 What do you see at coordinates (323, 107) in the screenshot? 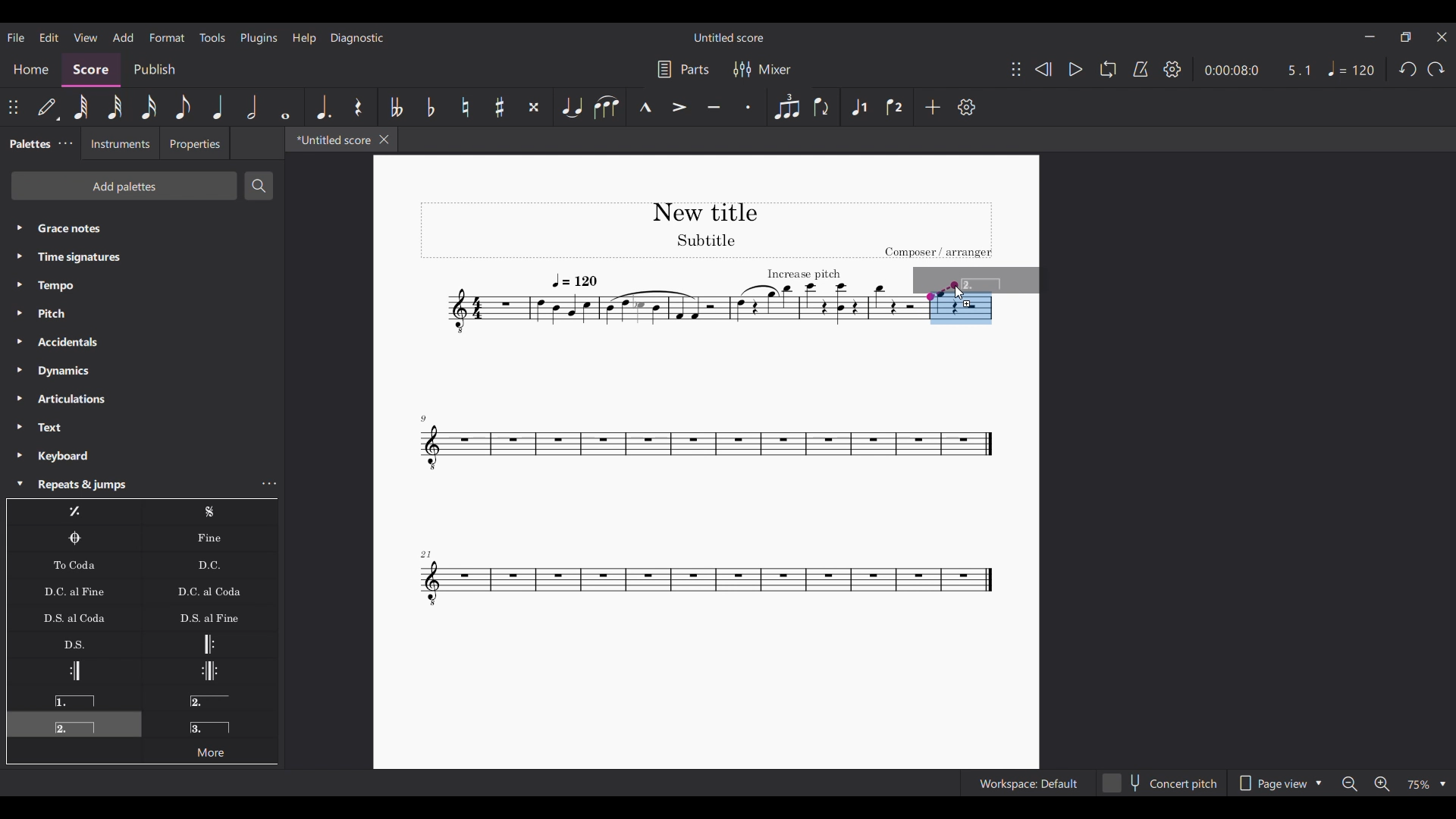
I see `Augmentation dot` at bounding box center [323, 107].